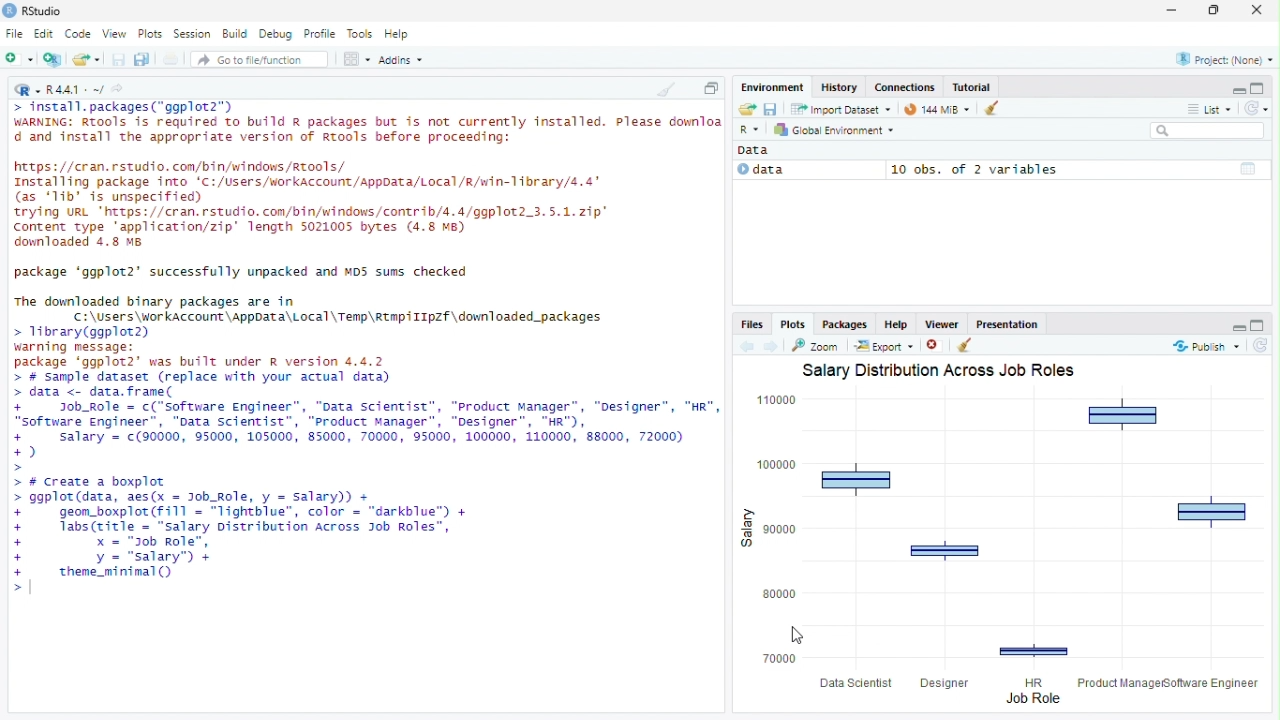  I want to click on Export, so click(885, 346).